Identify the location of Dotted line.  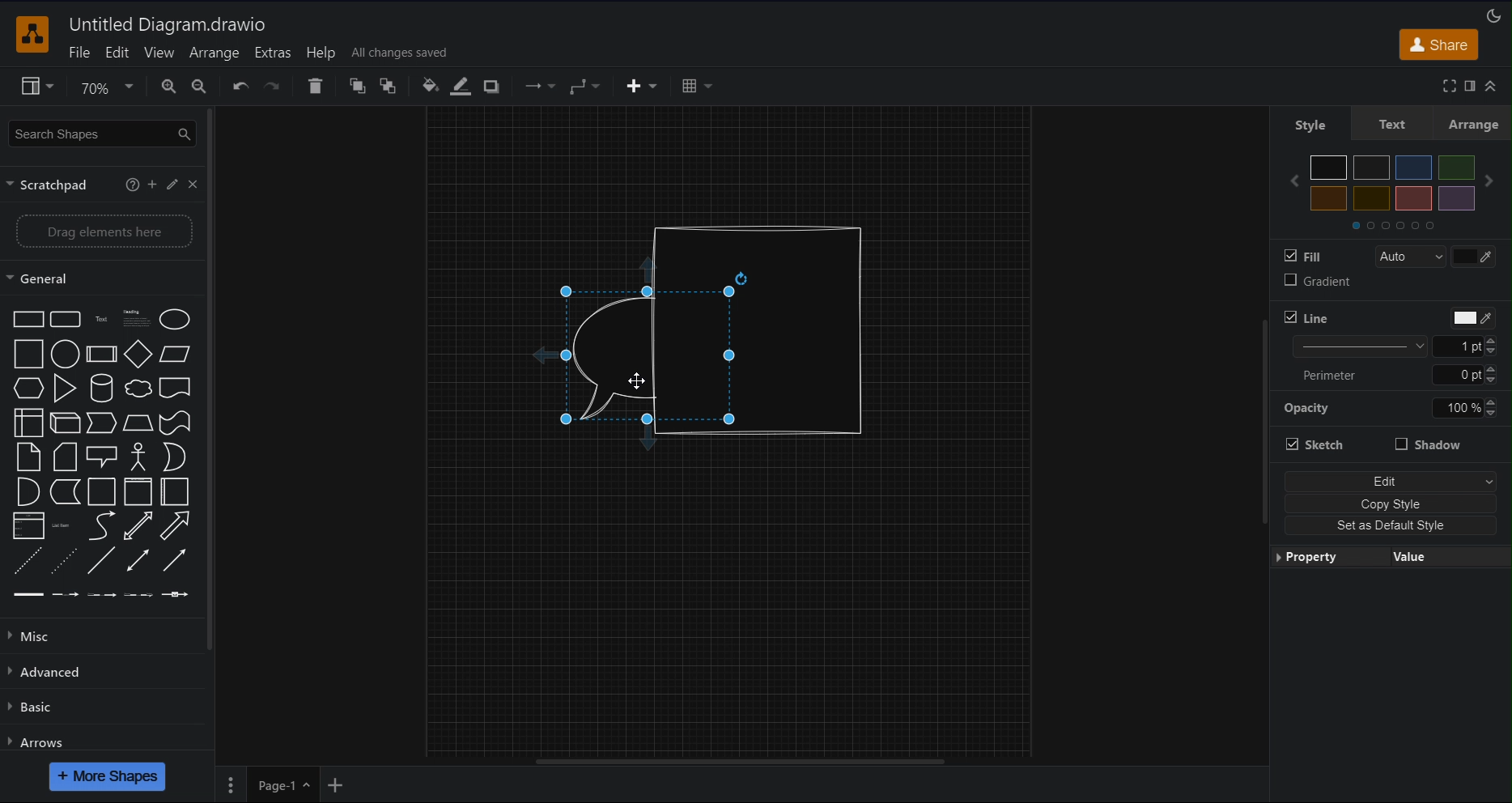
(64, 561).